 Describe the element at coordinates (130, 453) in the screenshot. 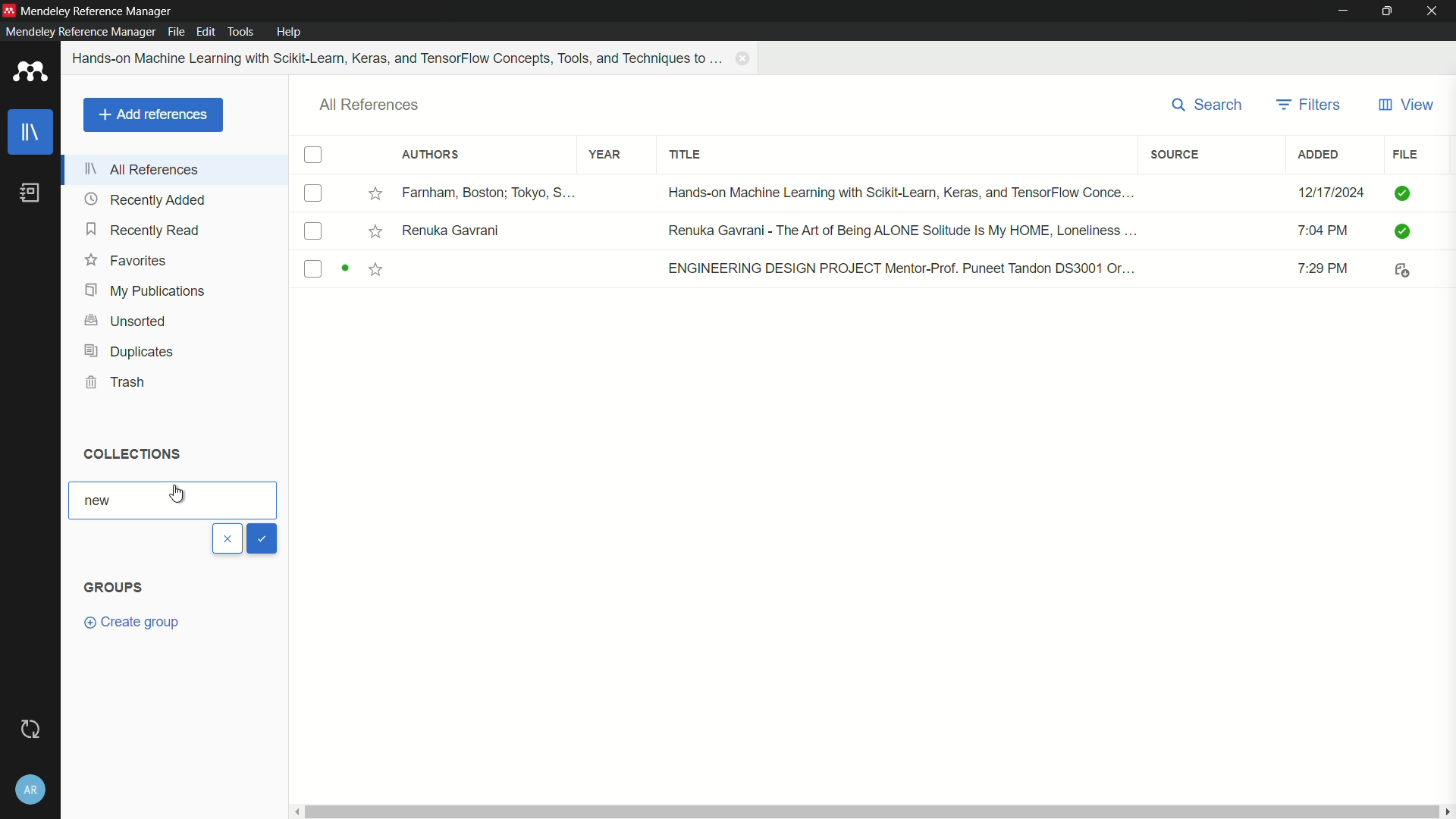

I see `collections` at that location.